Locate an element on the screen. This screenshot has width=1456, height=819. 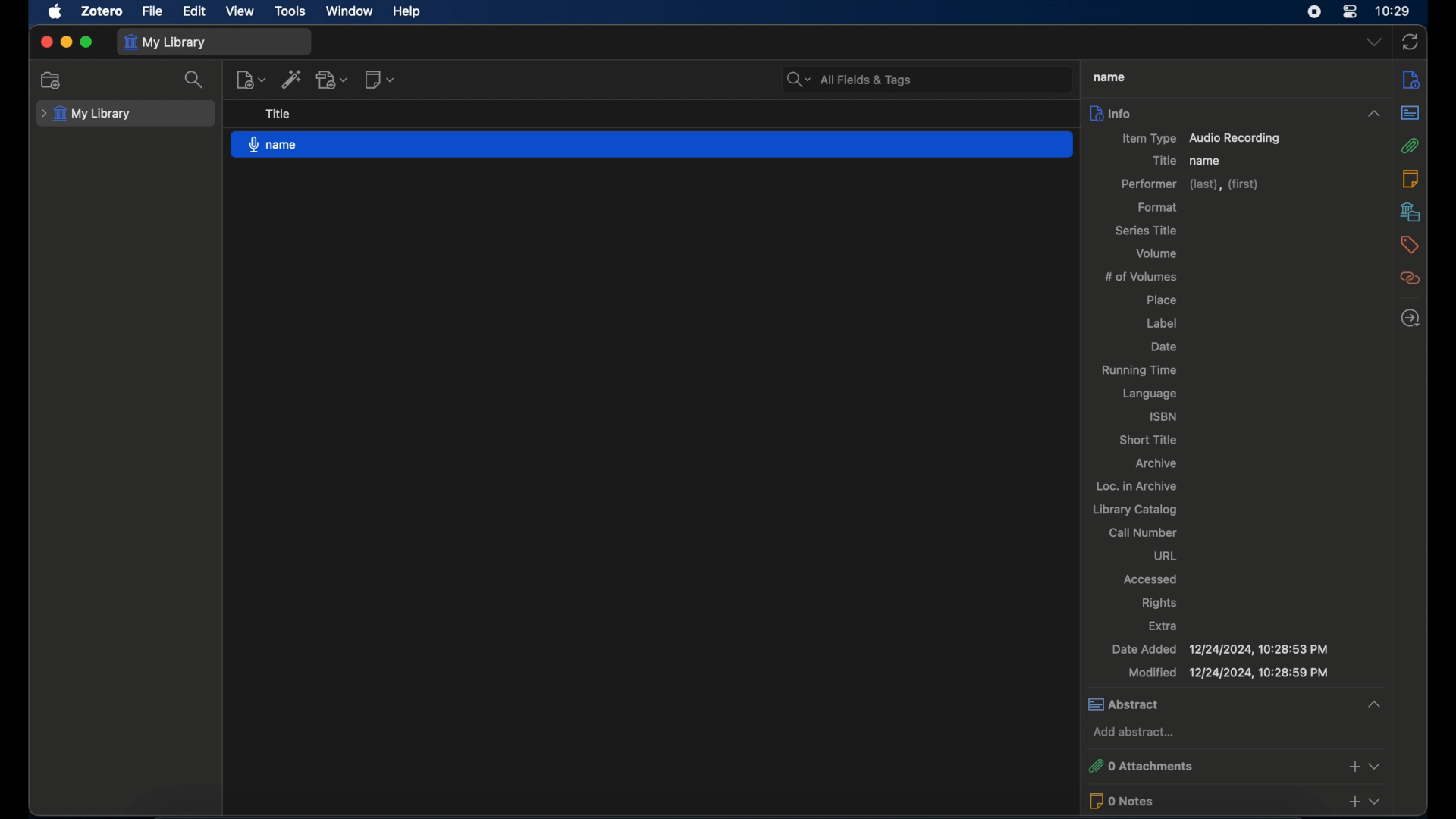
sync is located at coordinates (1410, 42).